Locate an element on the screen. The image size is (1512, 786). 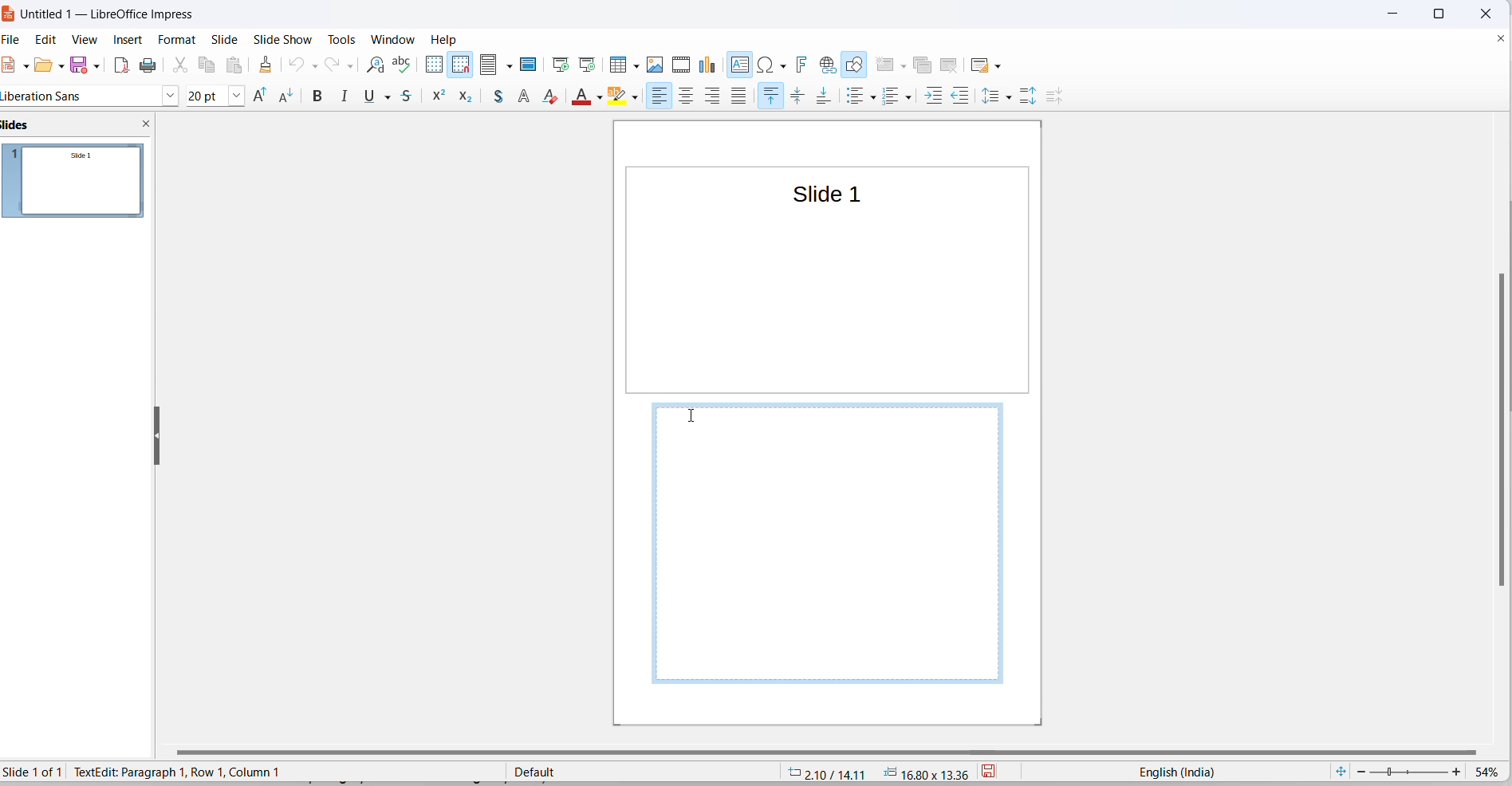
rectangle is located at coordinates (175, 96).